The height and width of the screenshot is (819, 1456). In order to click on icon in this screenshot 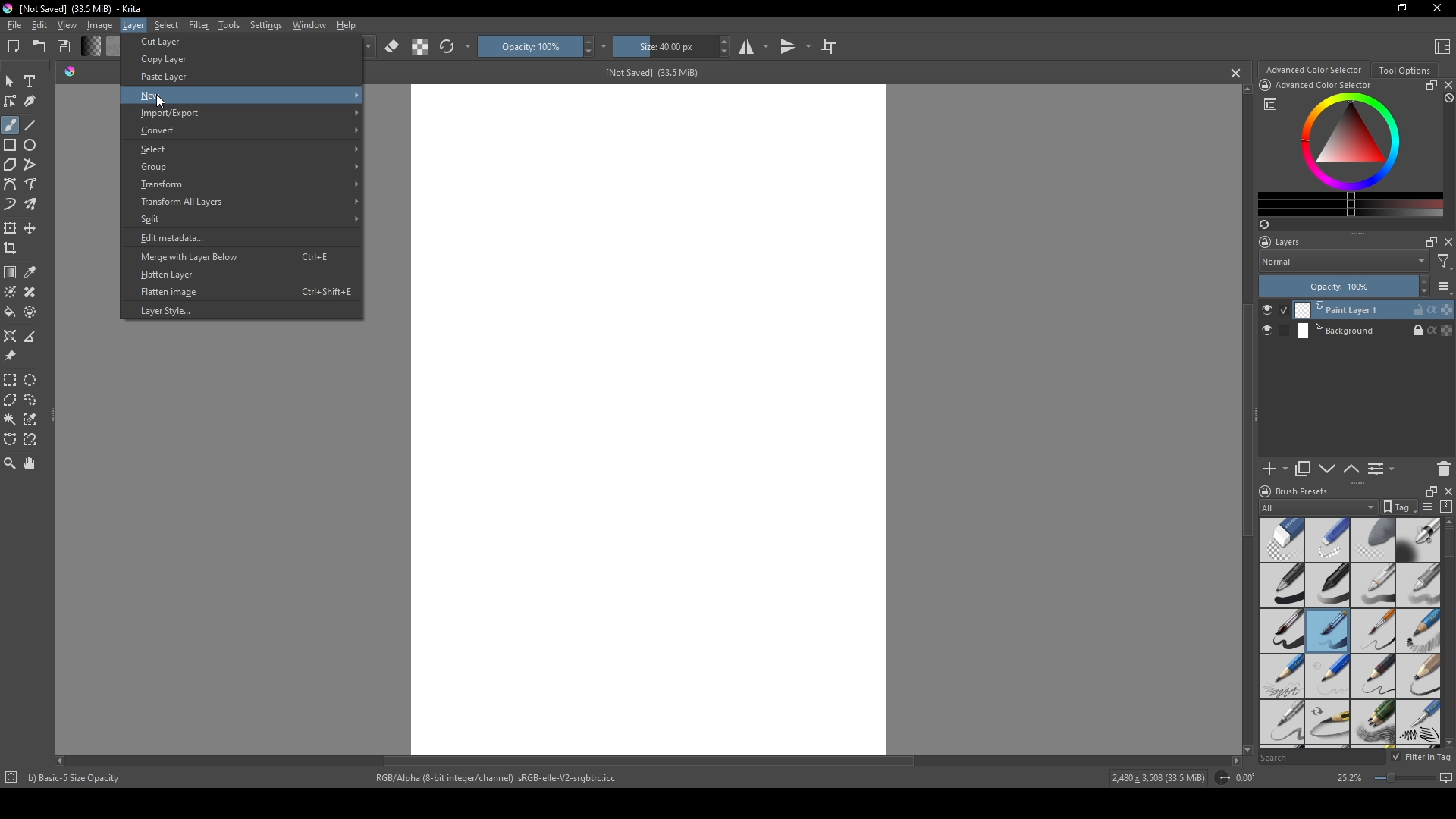, I will do `click(1221, 778)`.